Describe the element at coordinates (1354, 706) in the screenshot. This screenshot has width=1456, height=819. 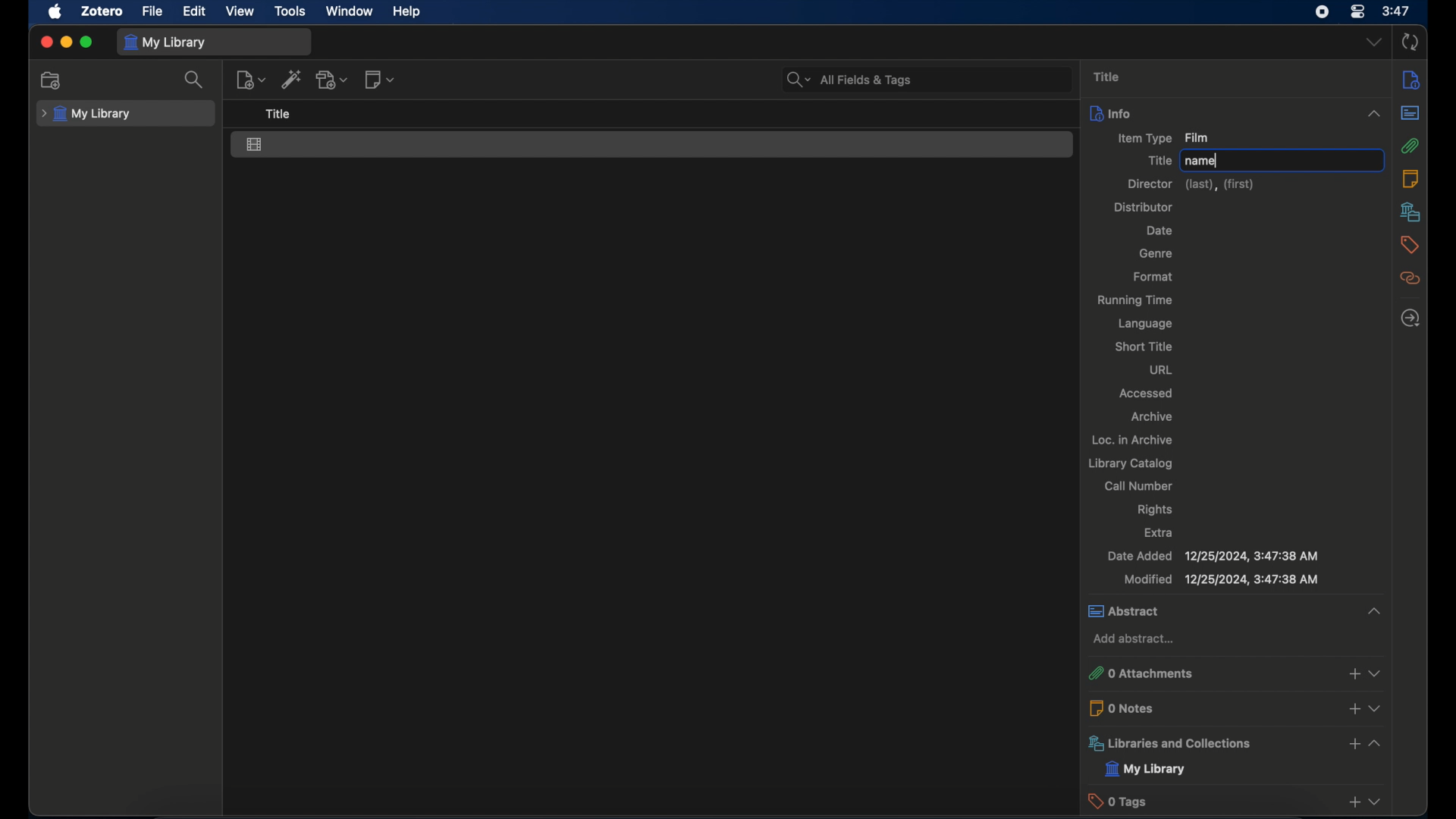
I see `add notes` at that location.